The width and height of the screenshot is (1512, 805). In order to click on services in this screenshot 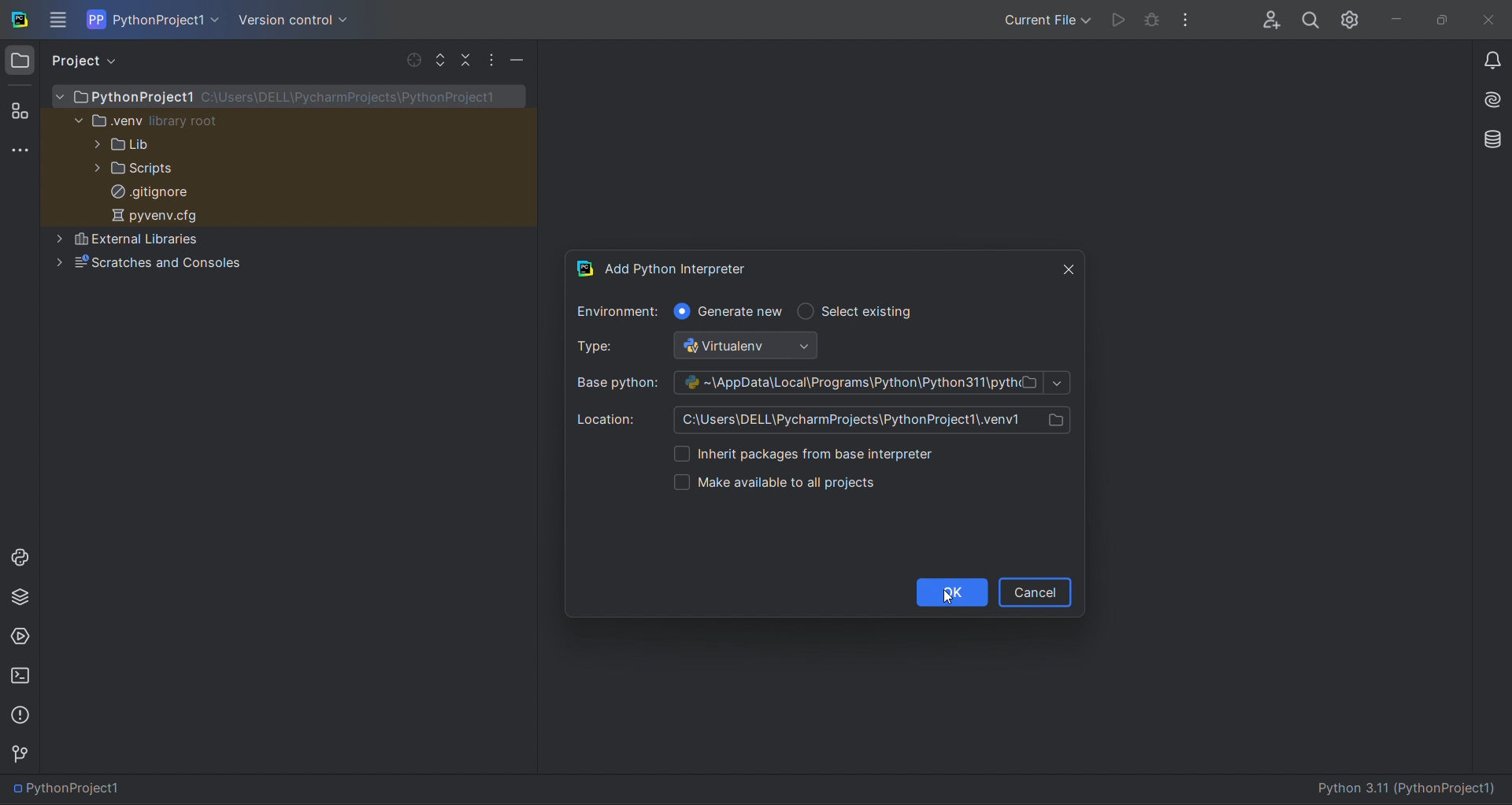, I will do `click(20, 638)`.